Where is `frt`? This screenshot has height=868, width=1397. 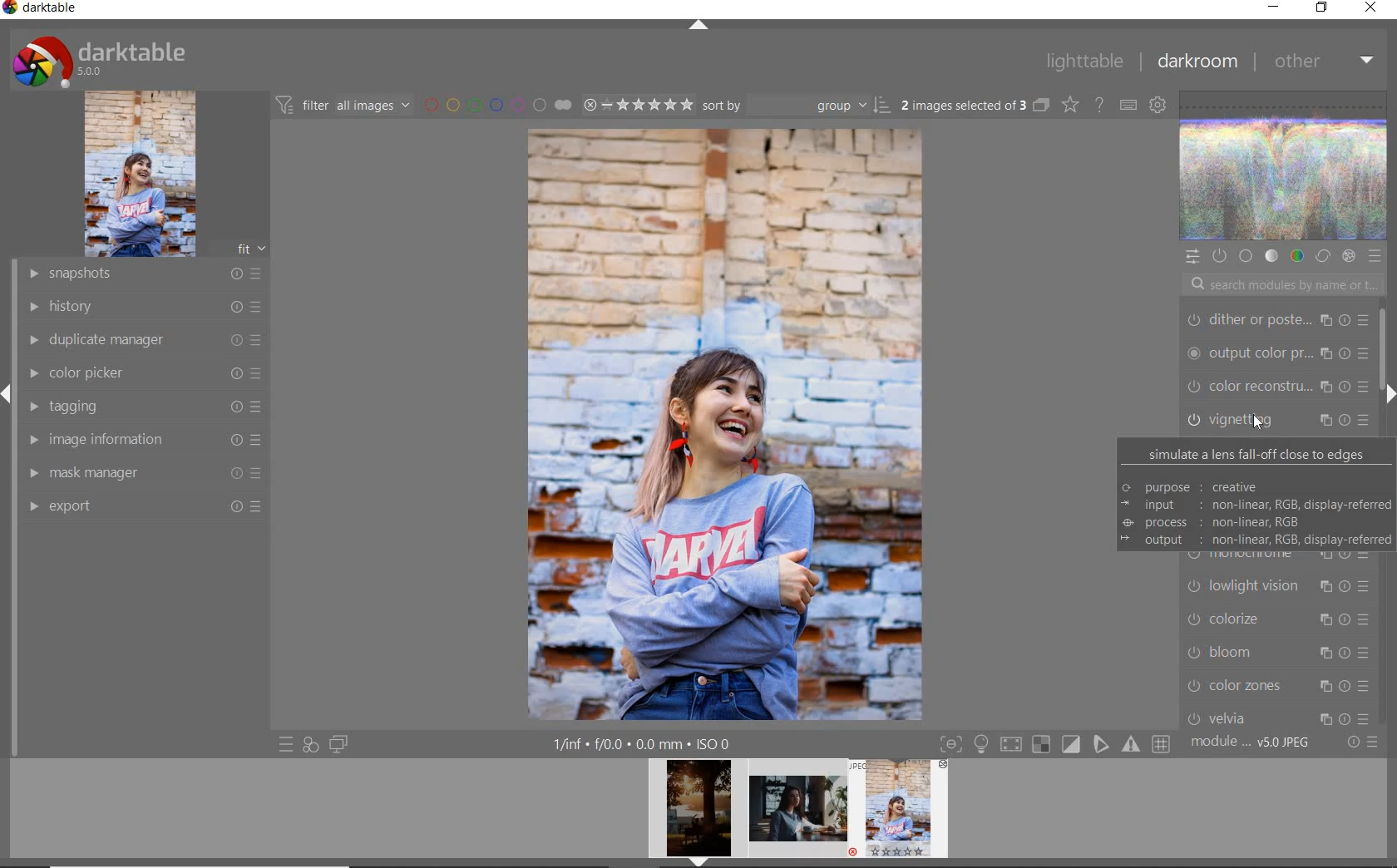 frt is located at coordinates (250, 246).